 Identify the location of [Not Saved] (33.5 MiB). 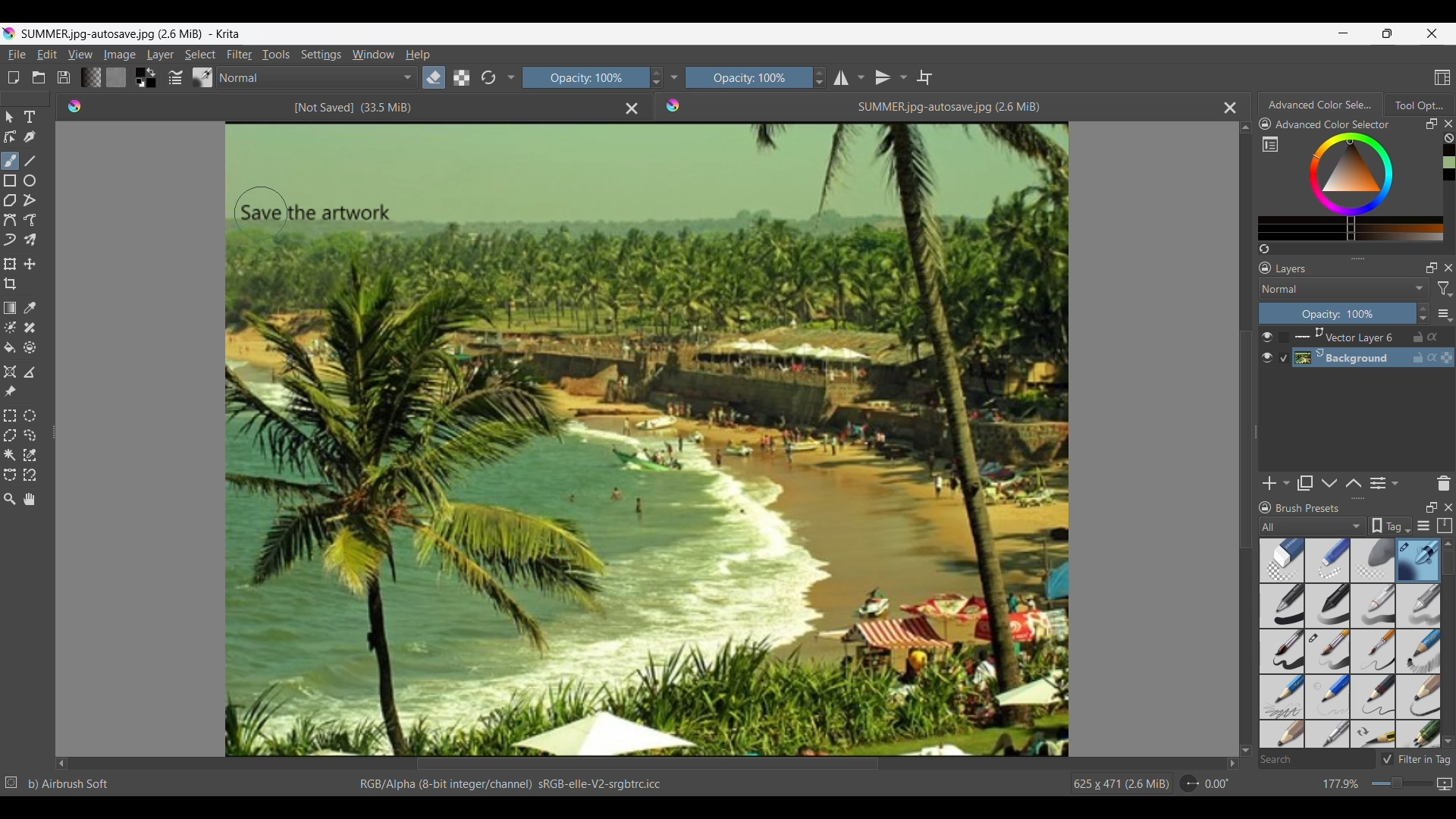
(352, 108).